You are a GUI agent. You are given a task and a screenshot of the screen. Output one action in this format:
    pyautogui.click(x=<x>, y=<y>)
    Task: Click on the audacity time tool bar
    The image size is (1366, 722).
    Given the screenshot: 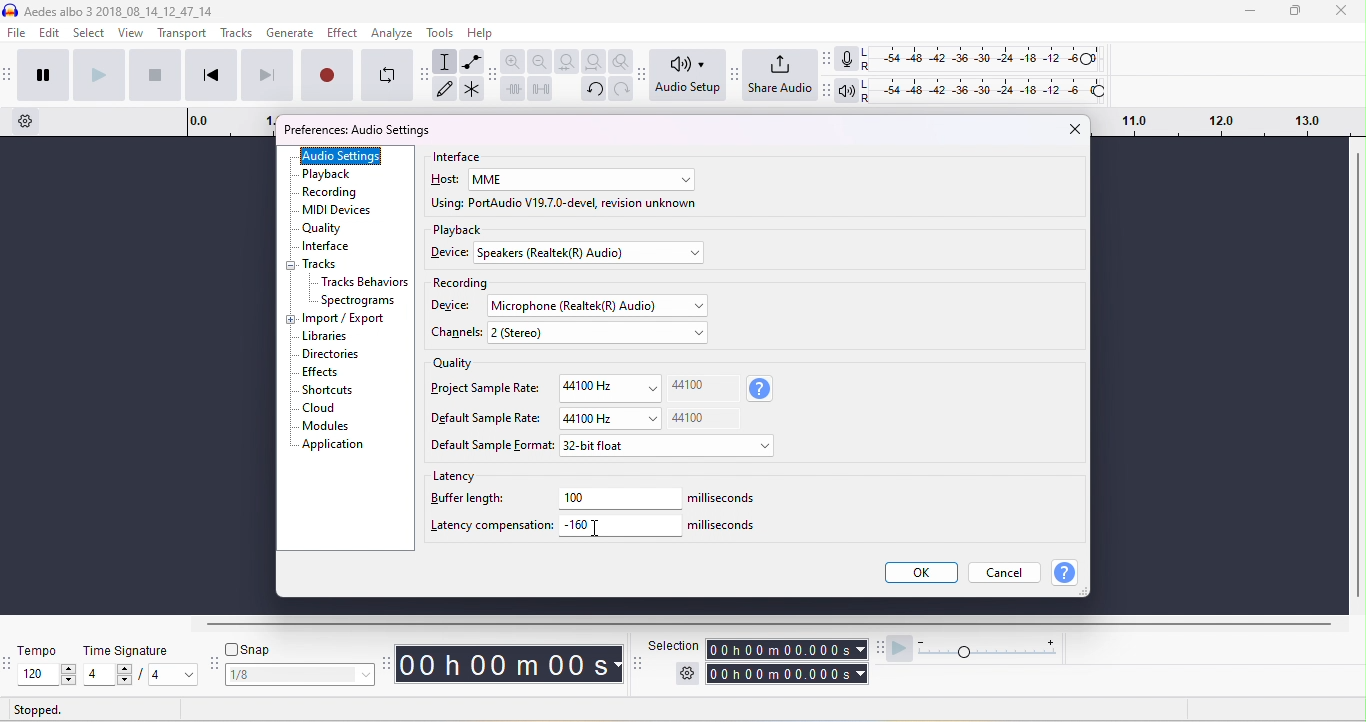 What is the action you would take?
    pyautogui.click(x=389, y=662)
    